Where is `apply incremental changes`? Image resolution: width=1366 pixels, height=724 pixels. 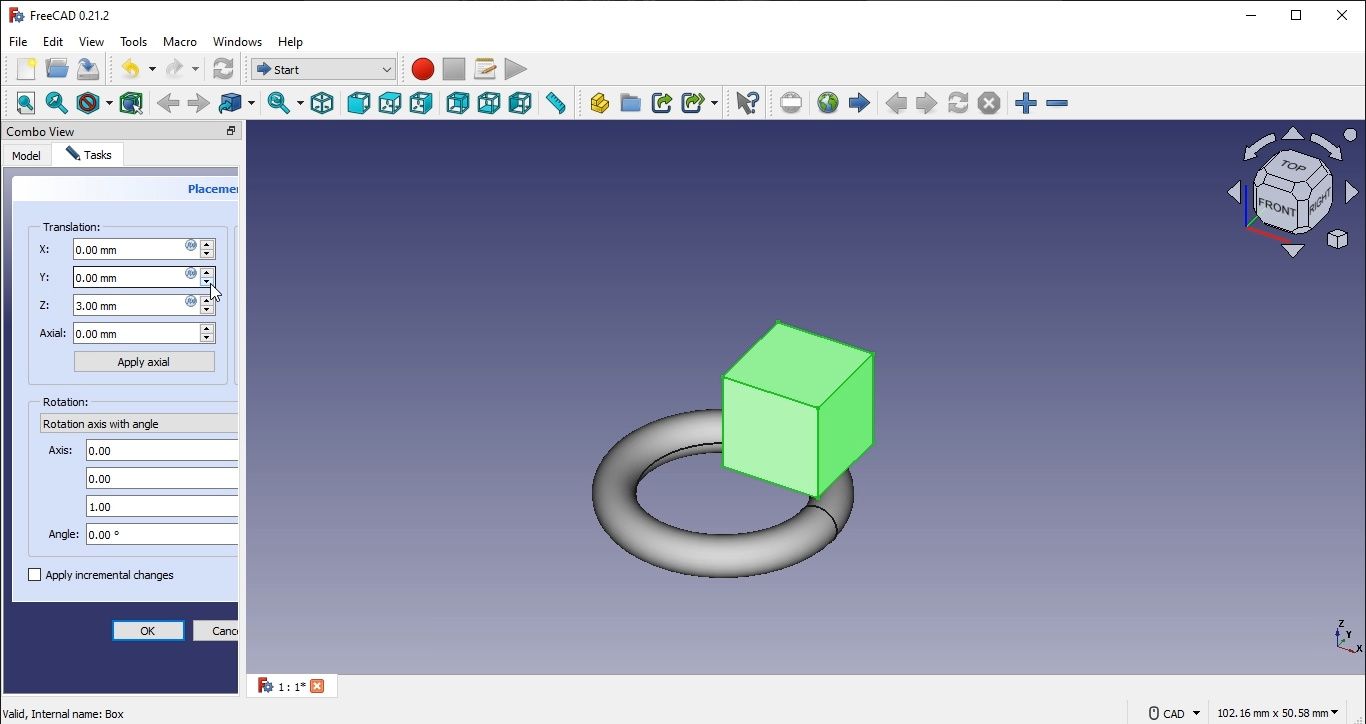 apply incremental changes is located at coordinates (102, 576).